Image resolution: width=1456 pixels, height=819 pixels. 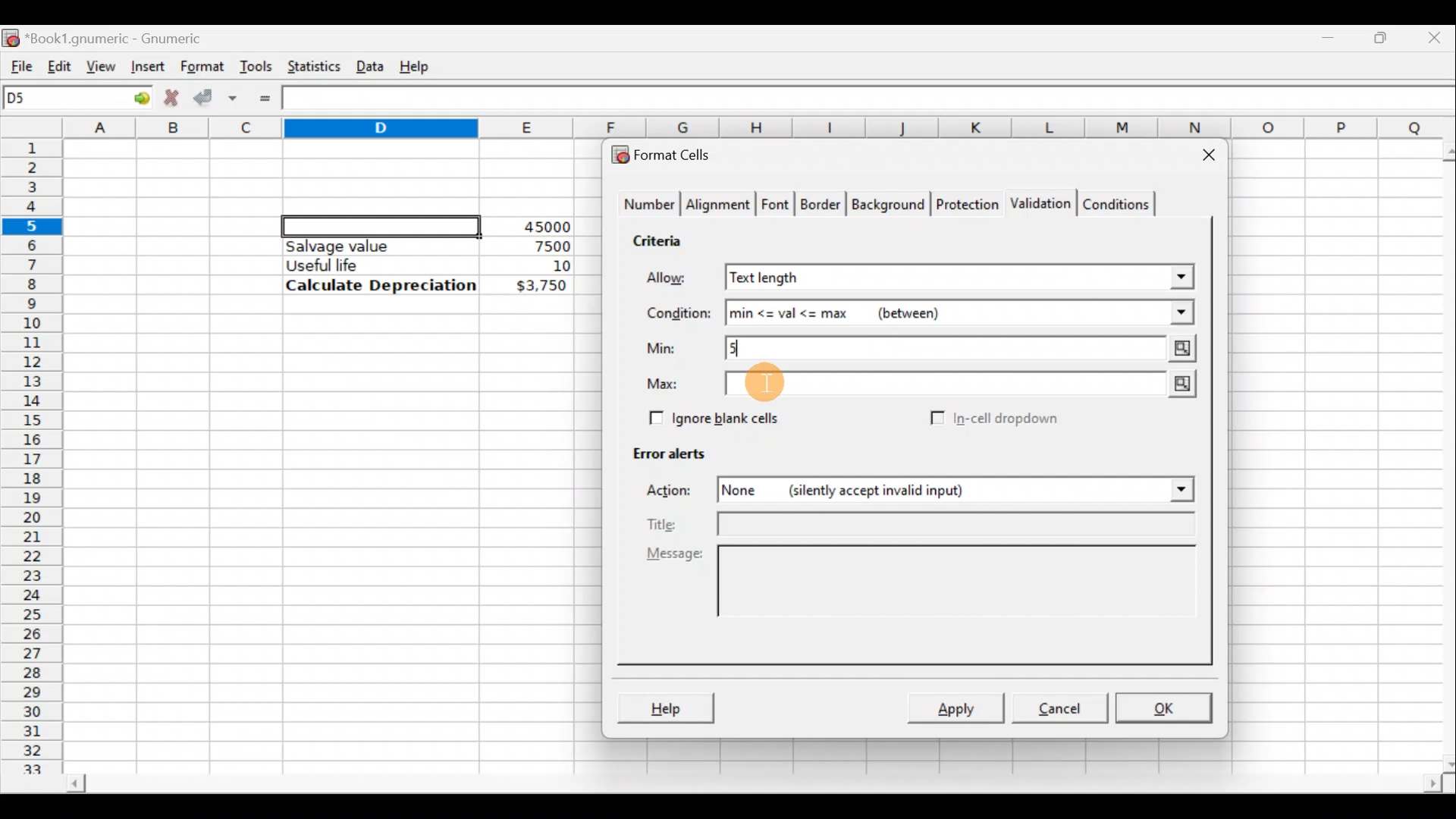 I want to click on Help, so click(x=665, y=710).